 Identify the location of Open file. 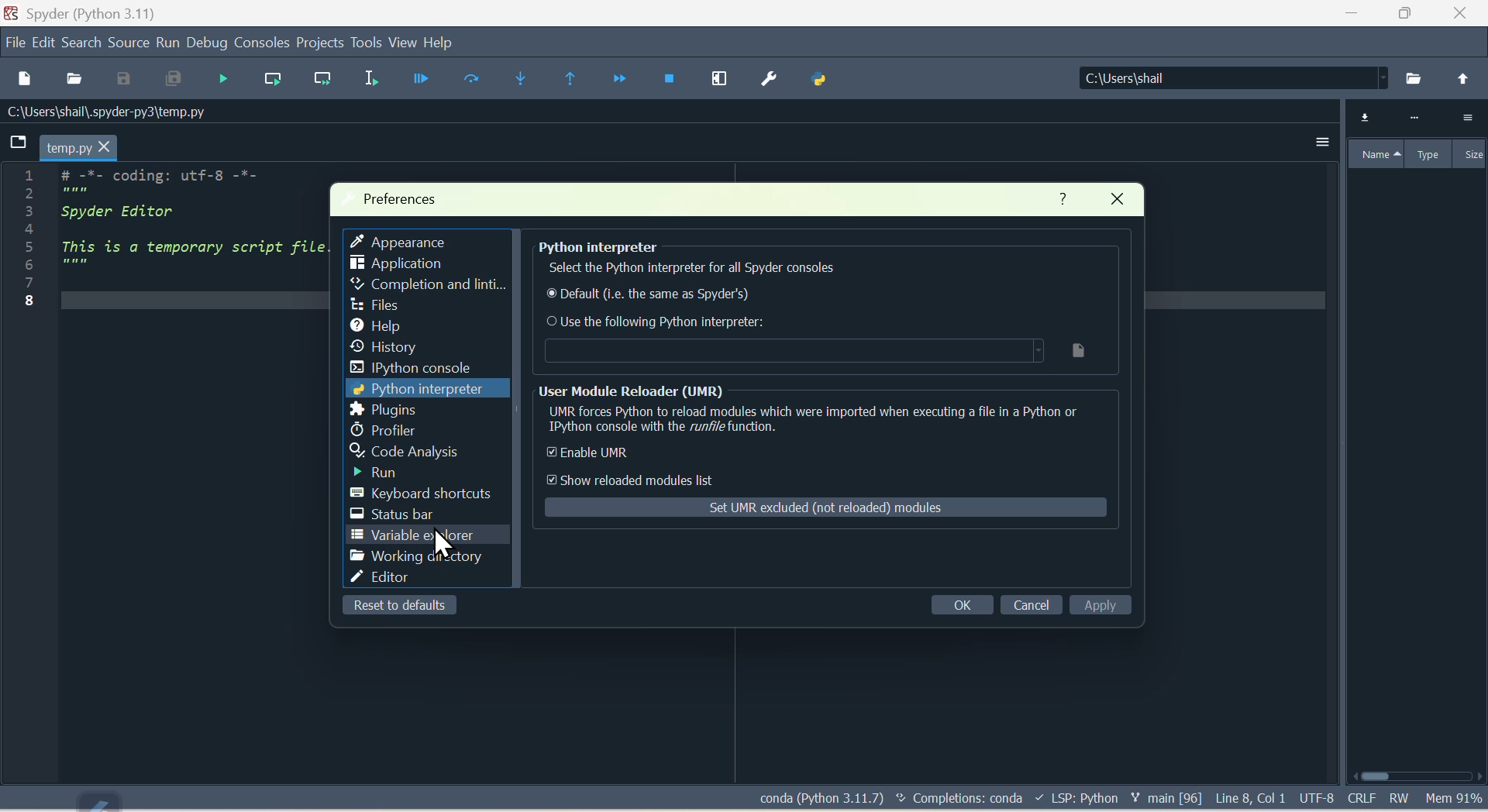
(74, 78).